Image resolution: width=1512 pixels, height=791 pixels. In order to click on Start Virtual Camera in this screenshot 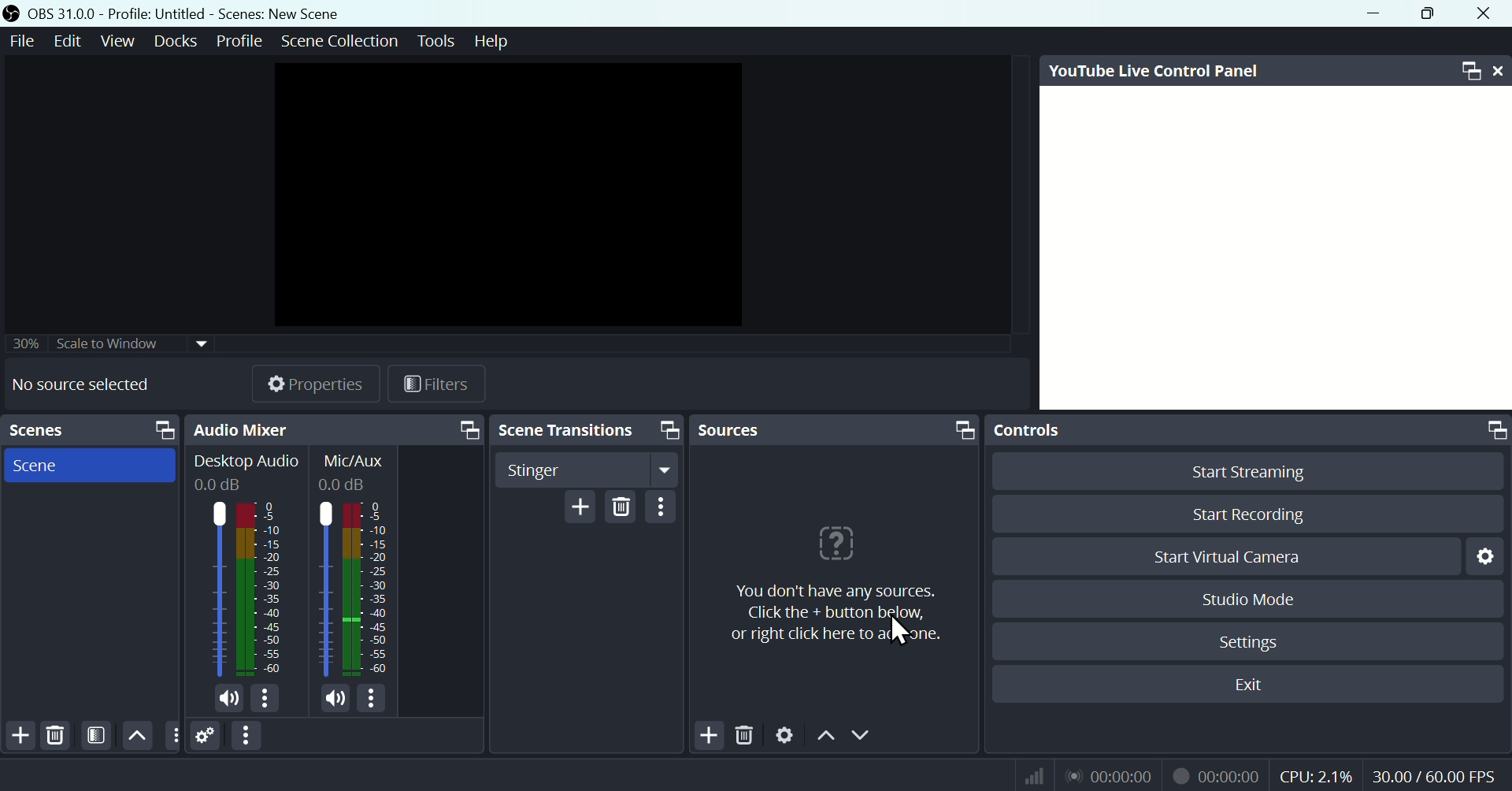, I will do `click(1225, 555)`.